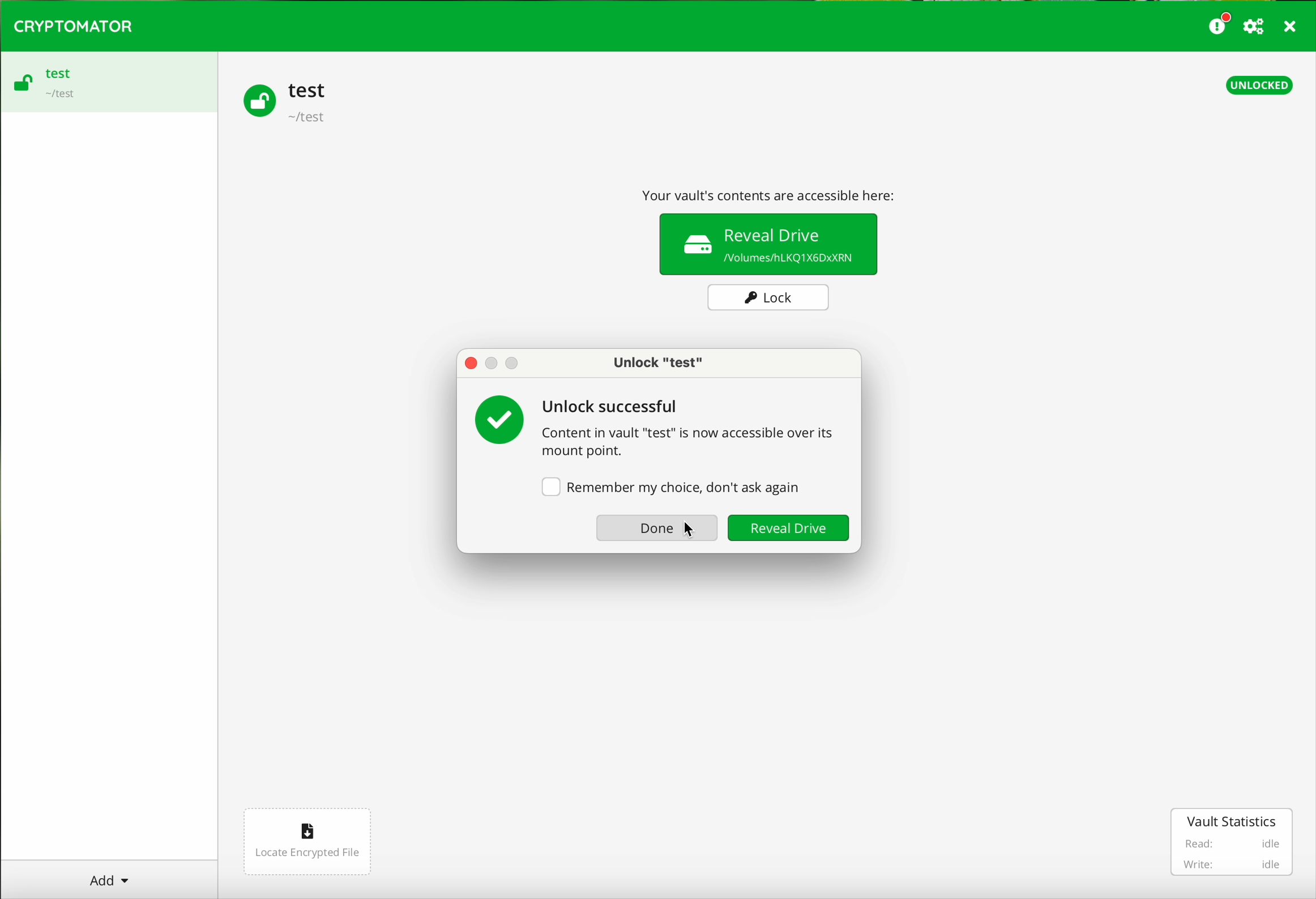 The width and height of the screenshot is (1316, 899). Describe the element at coordinates (698, 426) in the screenshot. I see `Unlock successful Content in vault "test" is now accessible over its mount point.` at that location.